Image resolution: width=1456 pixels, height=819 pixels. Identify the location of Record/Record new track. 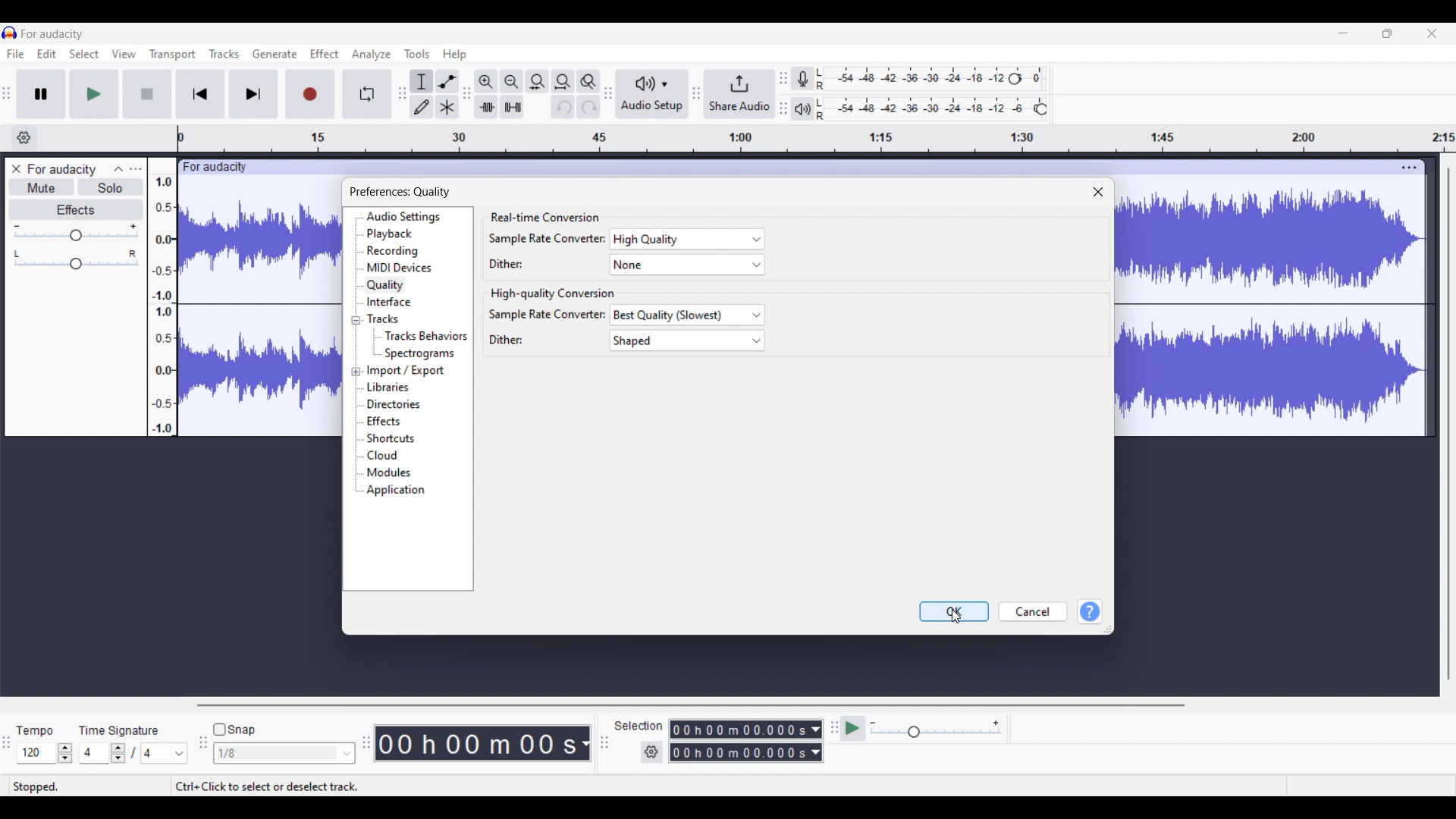
(310, 94).